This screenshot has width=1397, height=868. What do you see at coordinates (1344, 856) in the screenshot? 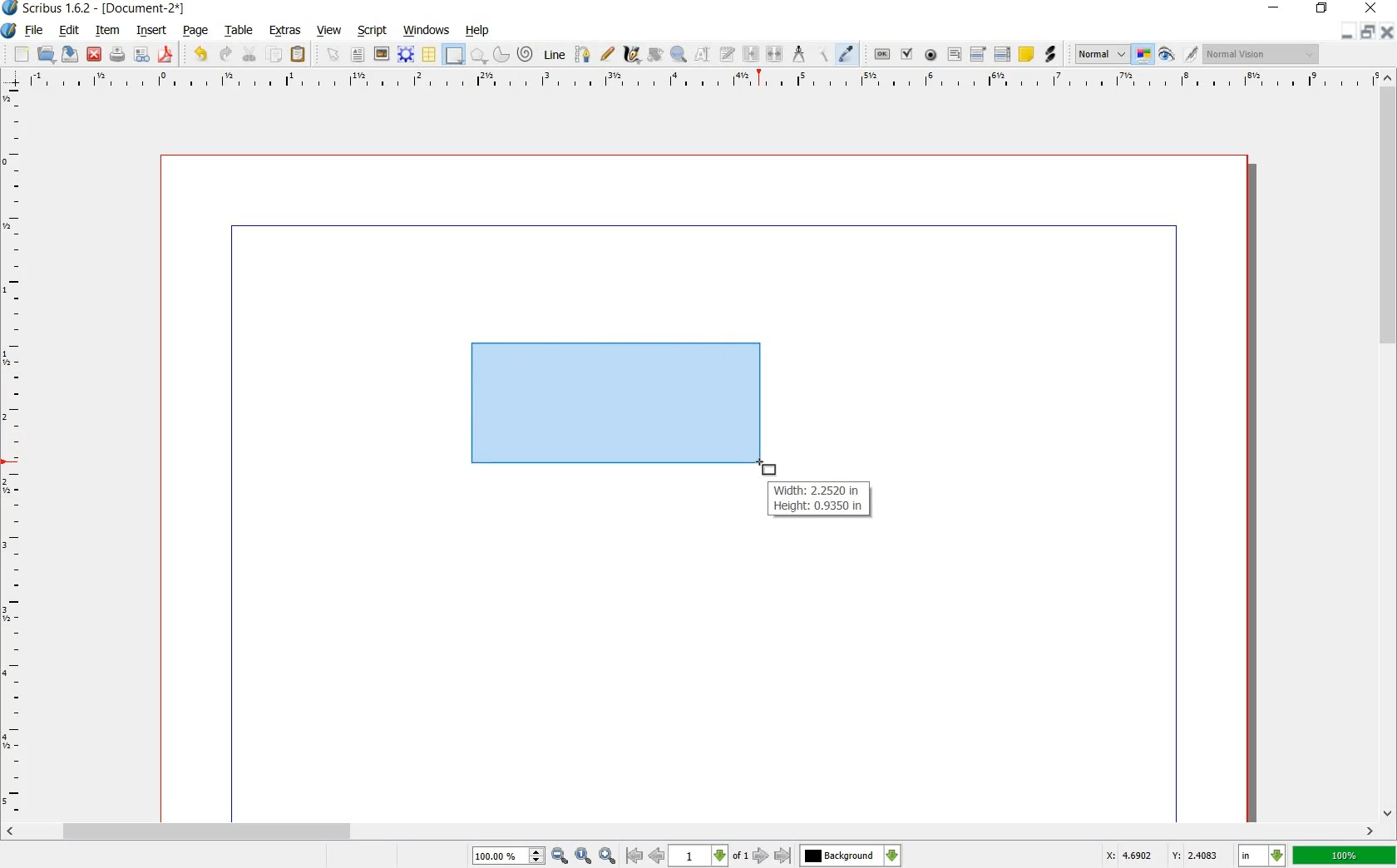
I see `100%` at bounding box center [1344, 856].